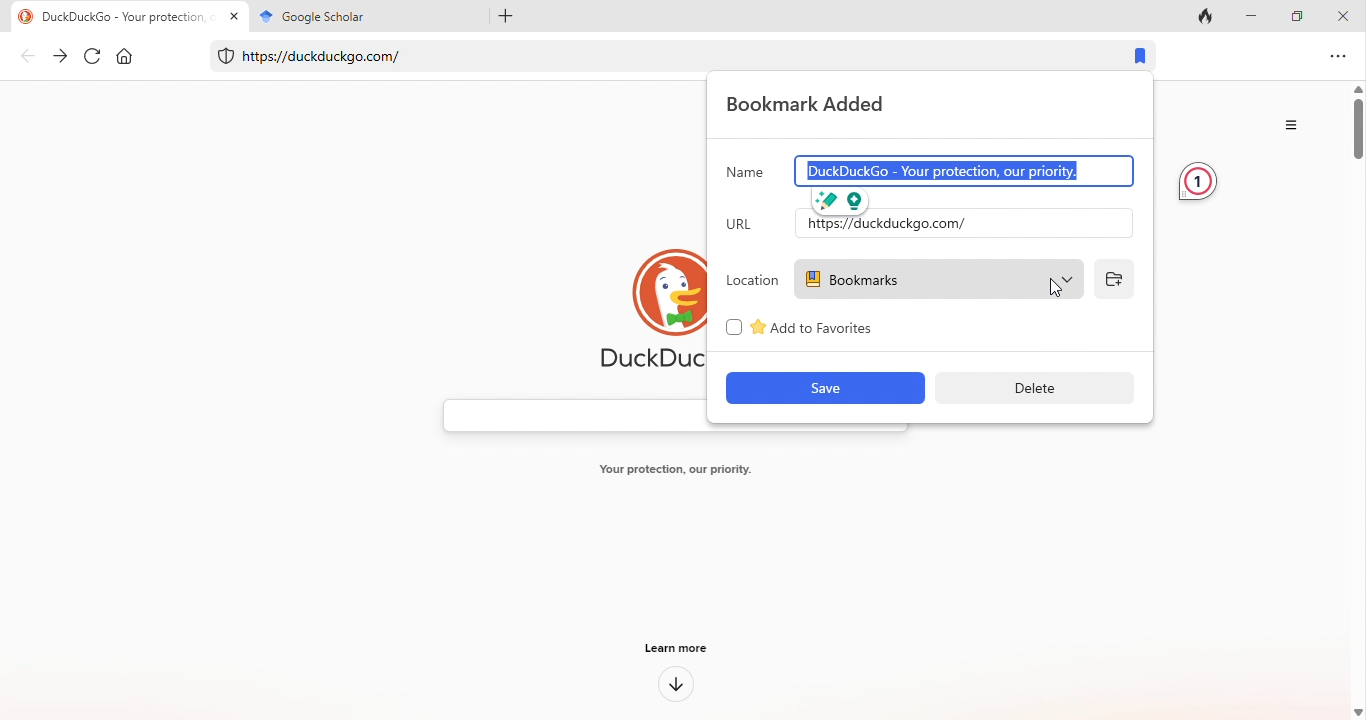  What do you see at coordinates (1256, 15) in the screenshot?
I see `minimize` at bounding box center [1256, 15].